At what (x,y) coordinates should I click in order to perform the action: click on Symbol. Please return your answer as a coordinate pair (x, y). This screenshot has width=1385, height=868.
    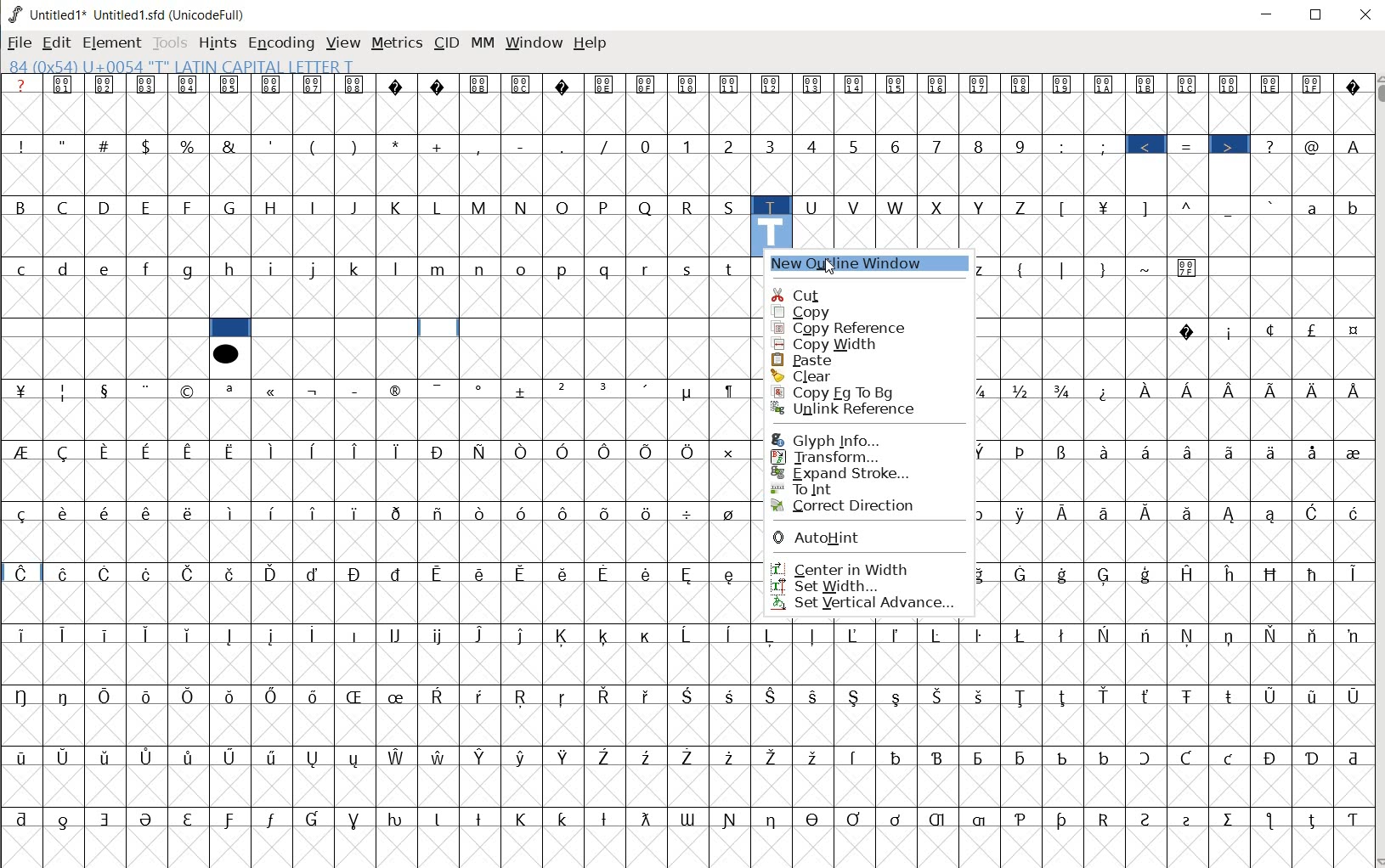
    Looking at the image, I should click on (1024, 391).